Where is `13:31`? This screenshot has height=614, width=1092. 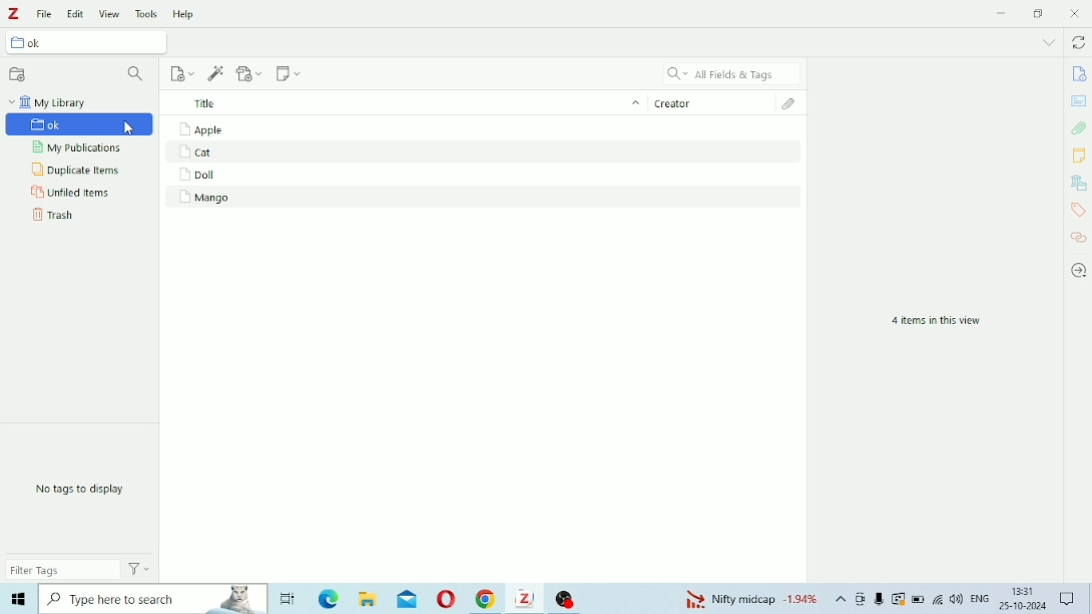 13:31 is located at coordinates (1025, 591).